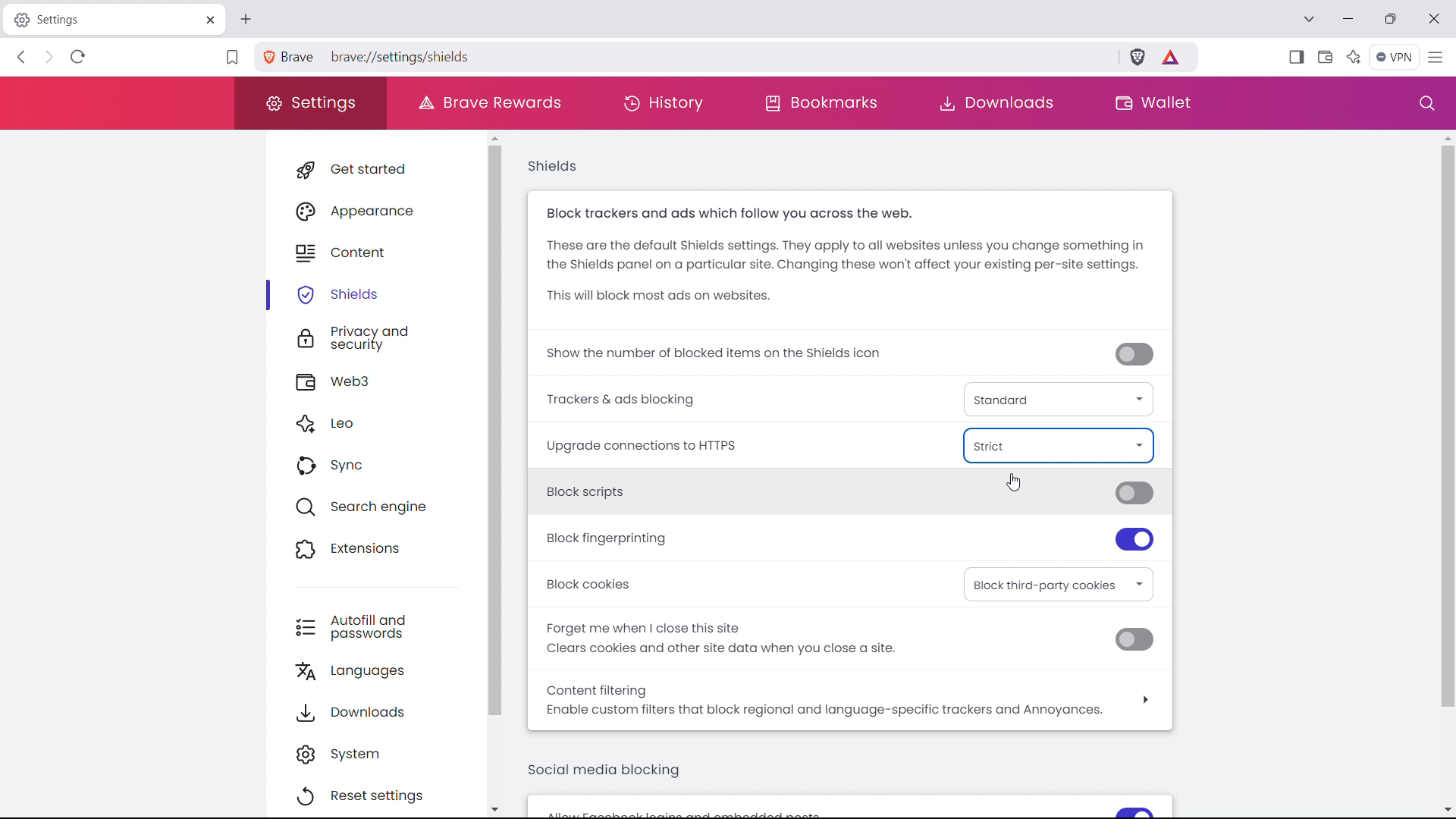 This screenshot has height=819, width=1456. What do you see at coordinates (384, 670) in the screenshot?
I see `languages` at bounding box center [384, 670].